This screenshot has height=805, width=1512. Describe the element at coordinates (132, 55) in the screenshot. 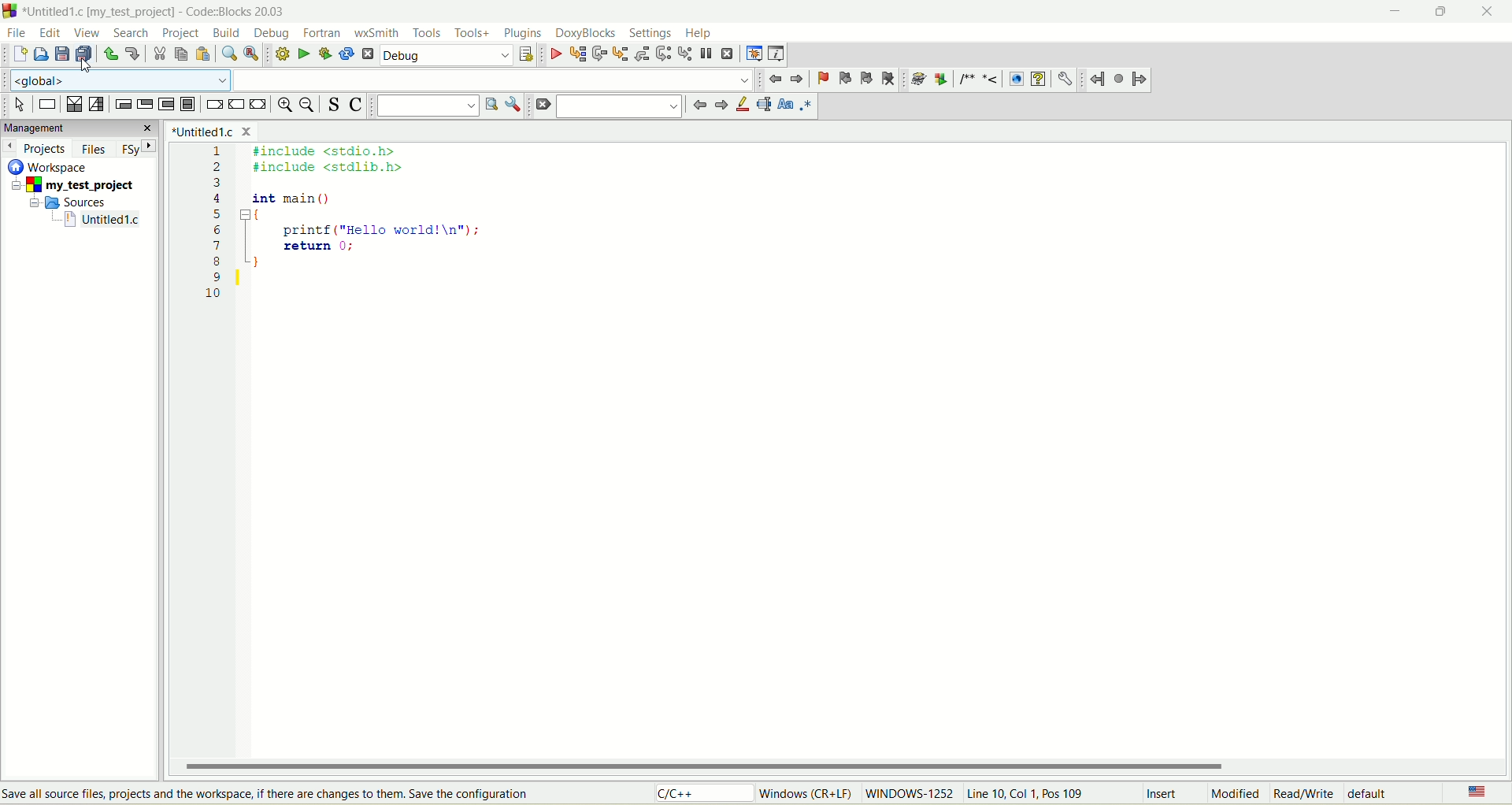

I see `redo` at that location.